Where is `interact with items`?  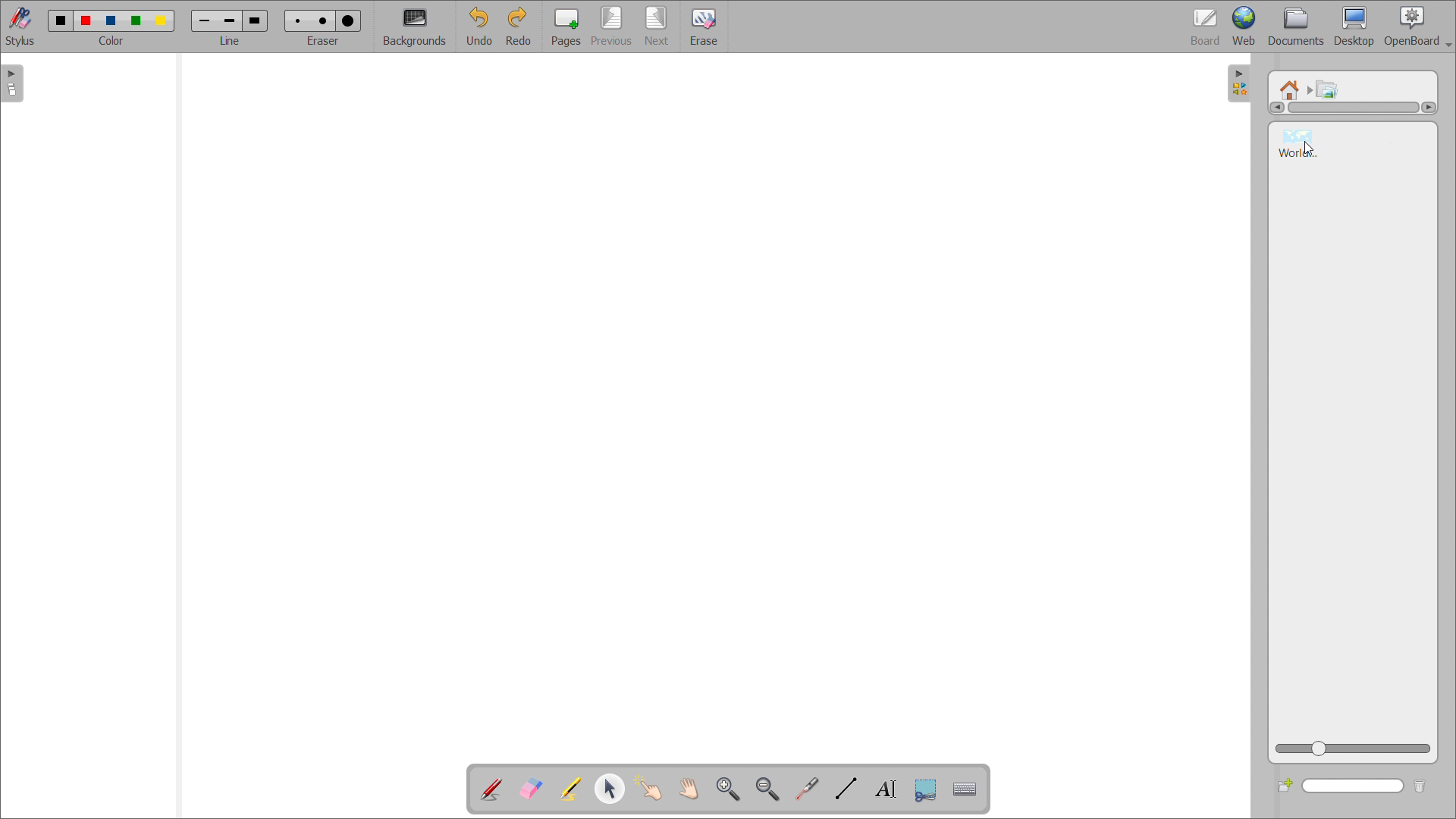 interact with items is located at coordinates (650, 787).